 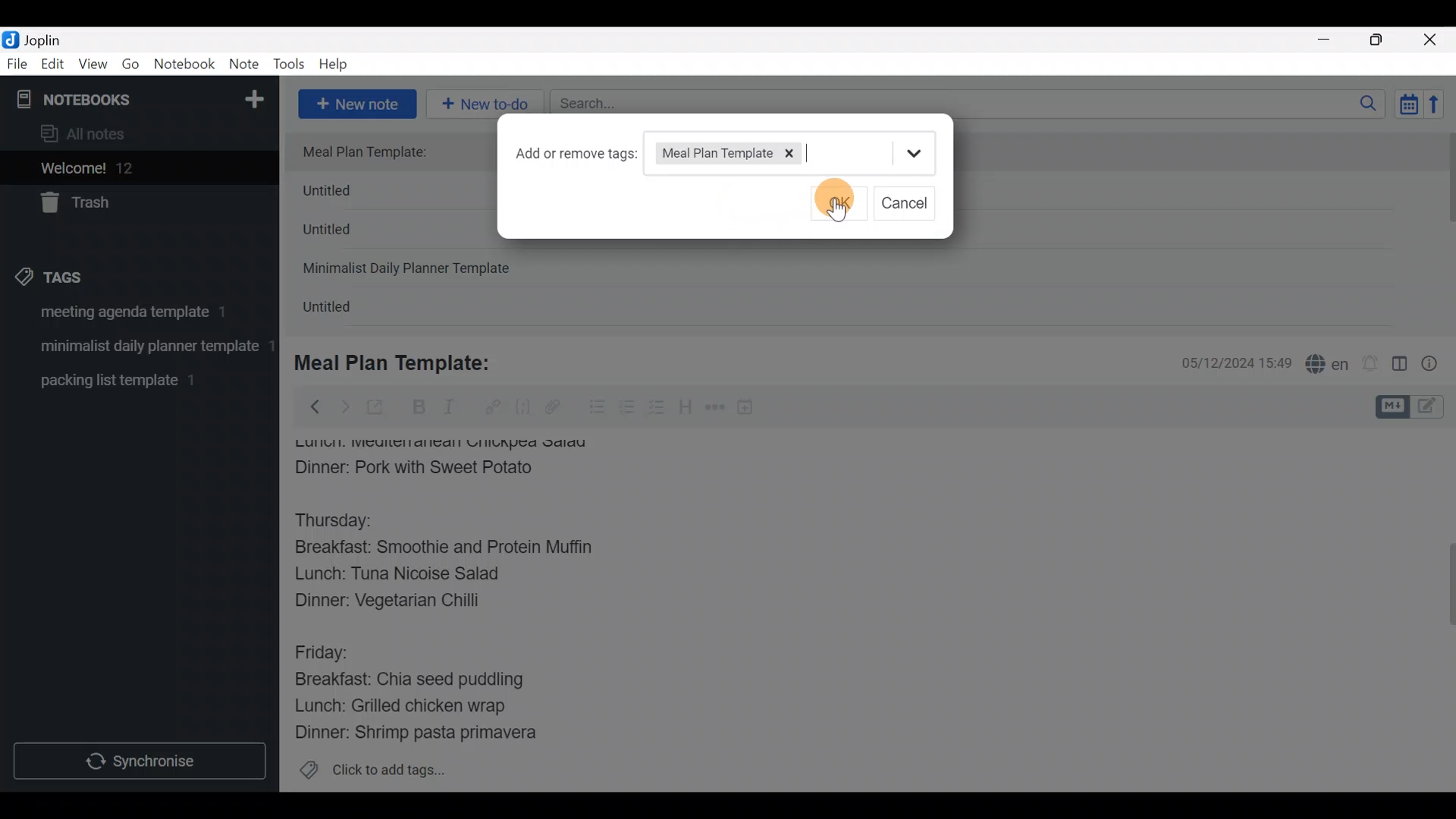 What do you see at coordinates (344, 310) in the screenshot?
I see `Untitled` at bounding box center [344, 310].